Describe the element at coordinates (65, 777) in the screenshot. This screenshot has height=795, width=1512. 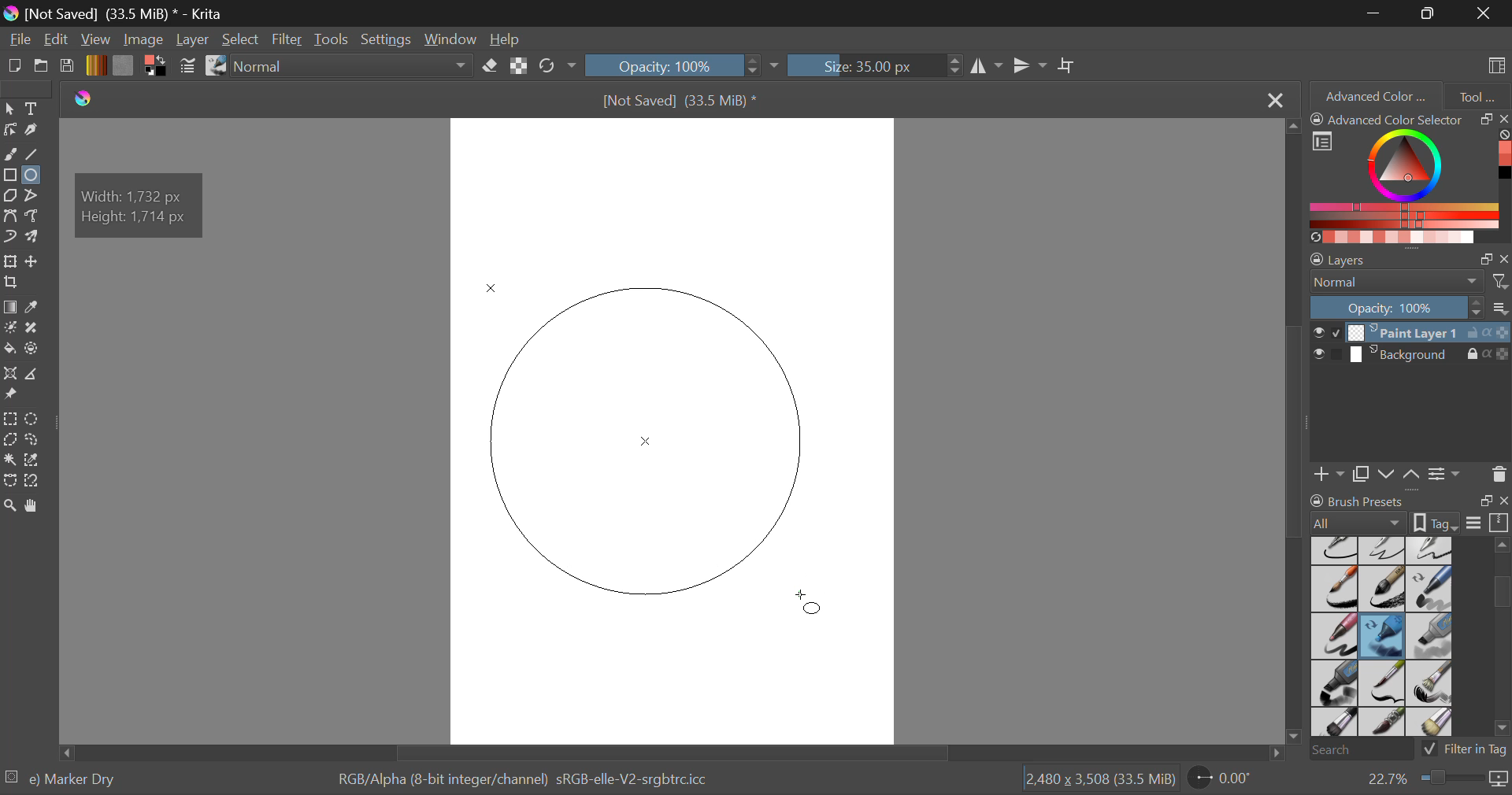
I see `Selected Brush Preset` at that location.